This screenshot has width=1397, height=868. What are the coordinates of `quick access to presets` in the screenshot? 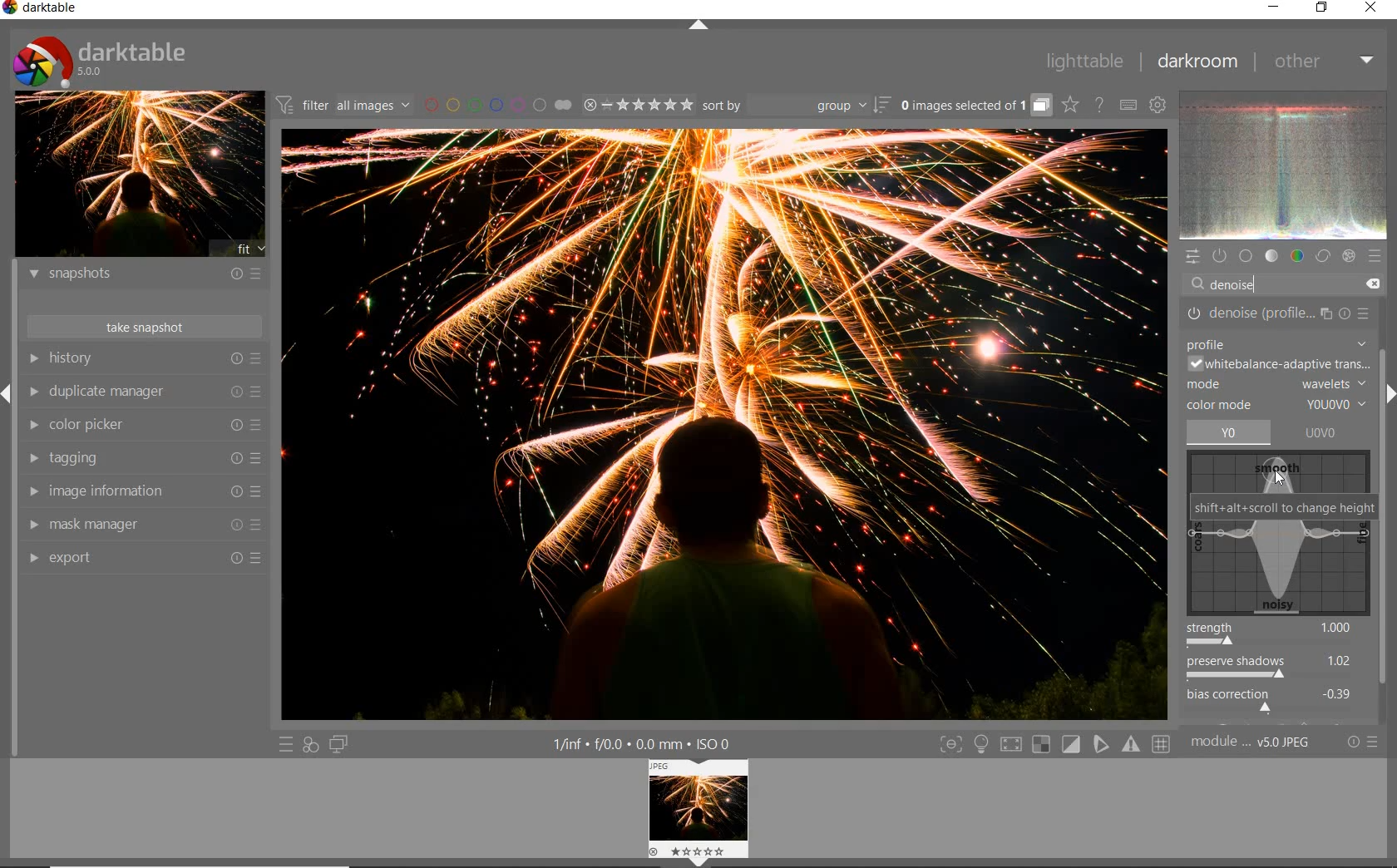 It's located at (288, 745).